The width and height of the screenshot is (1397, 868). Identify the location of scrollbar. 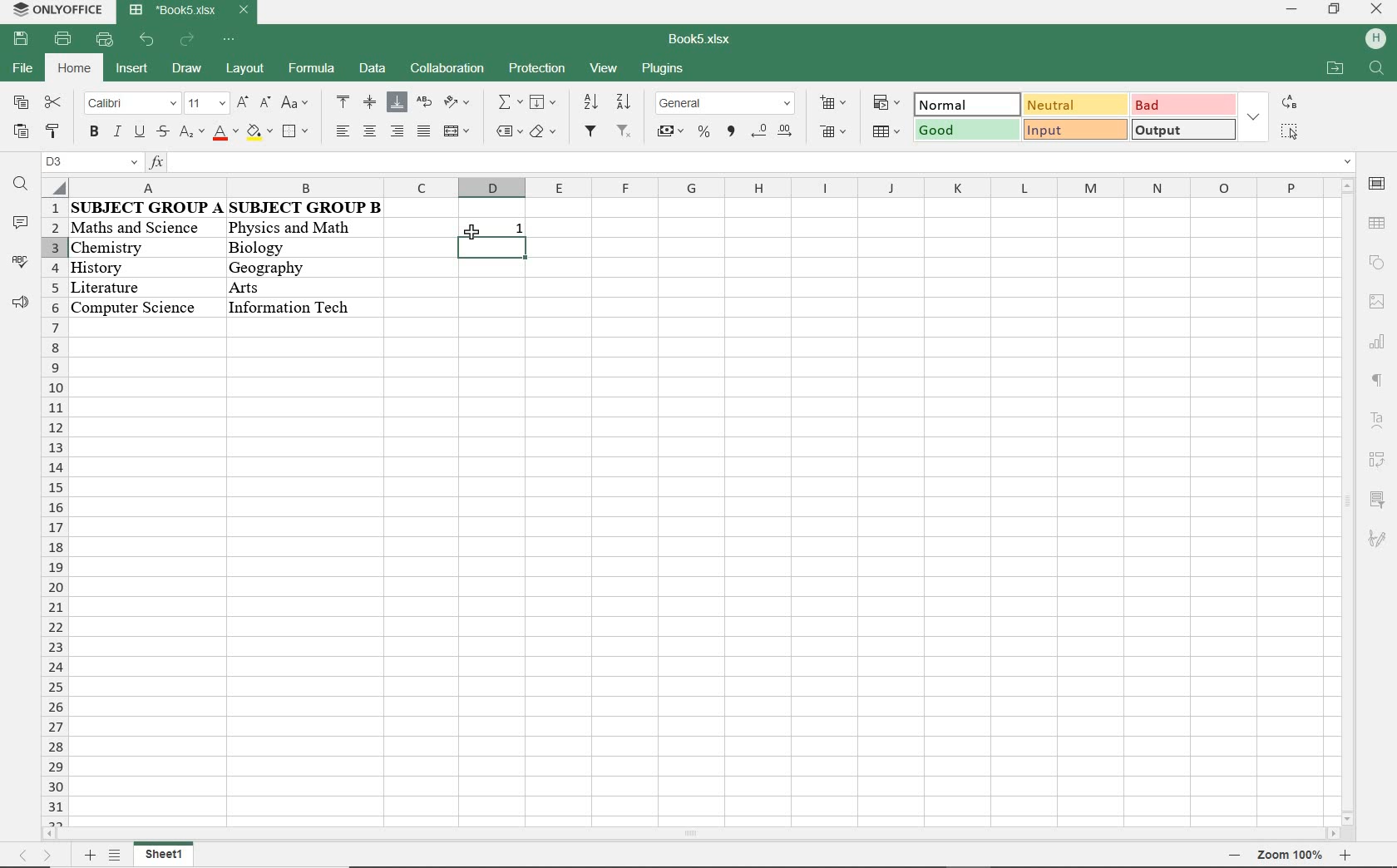
(694, 836).